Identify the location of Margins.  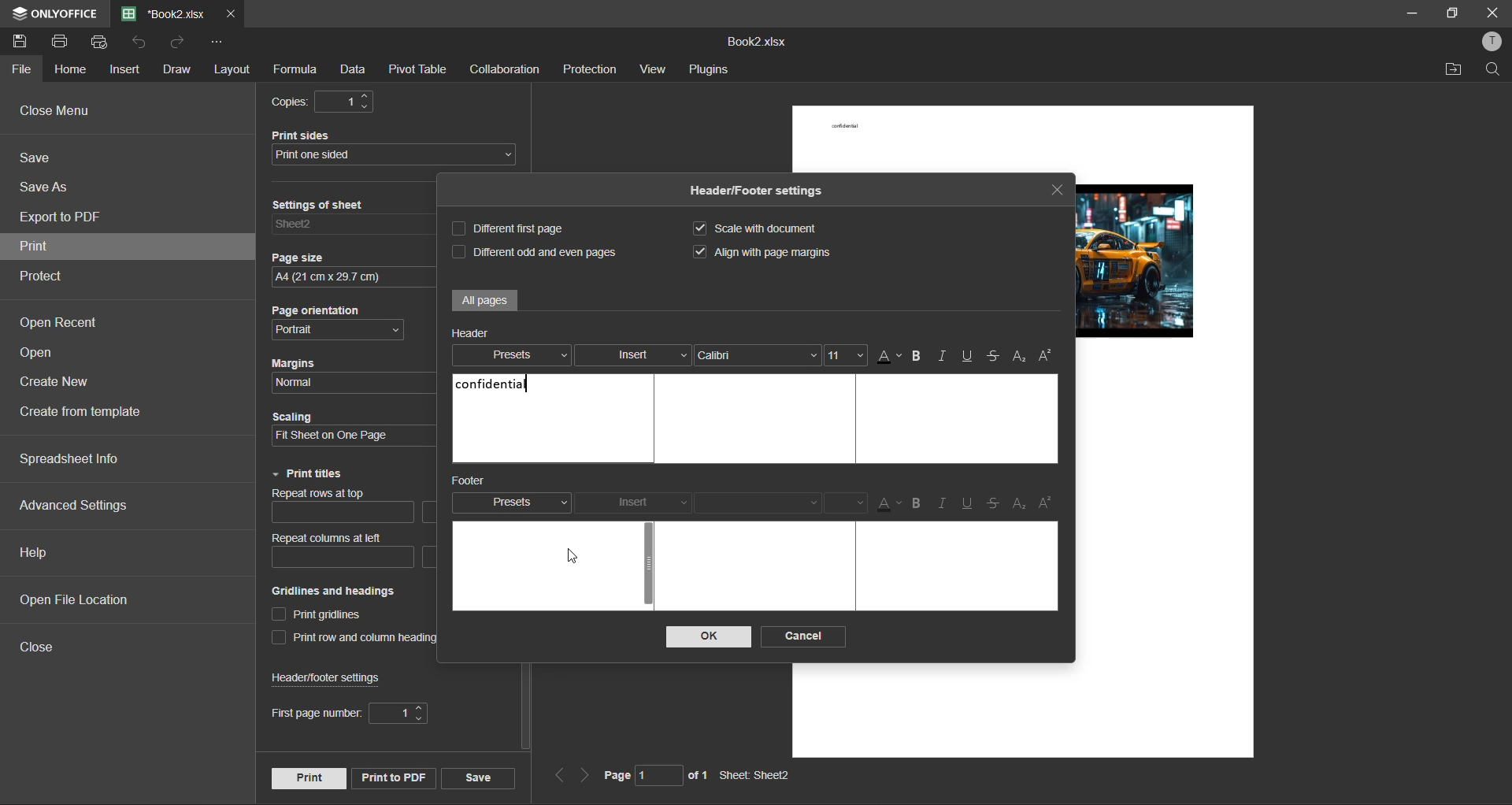
(301, 362).